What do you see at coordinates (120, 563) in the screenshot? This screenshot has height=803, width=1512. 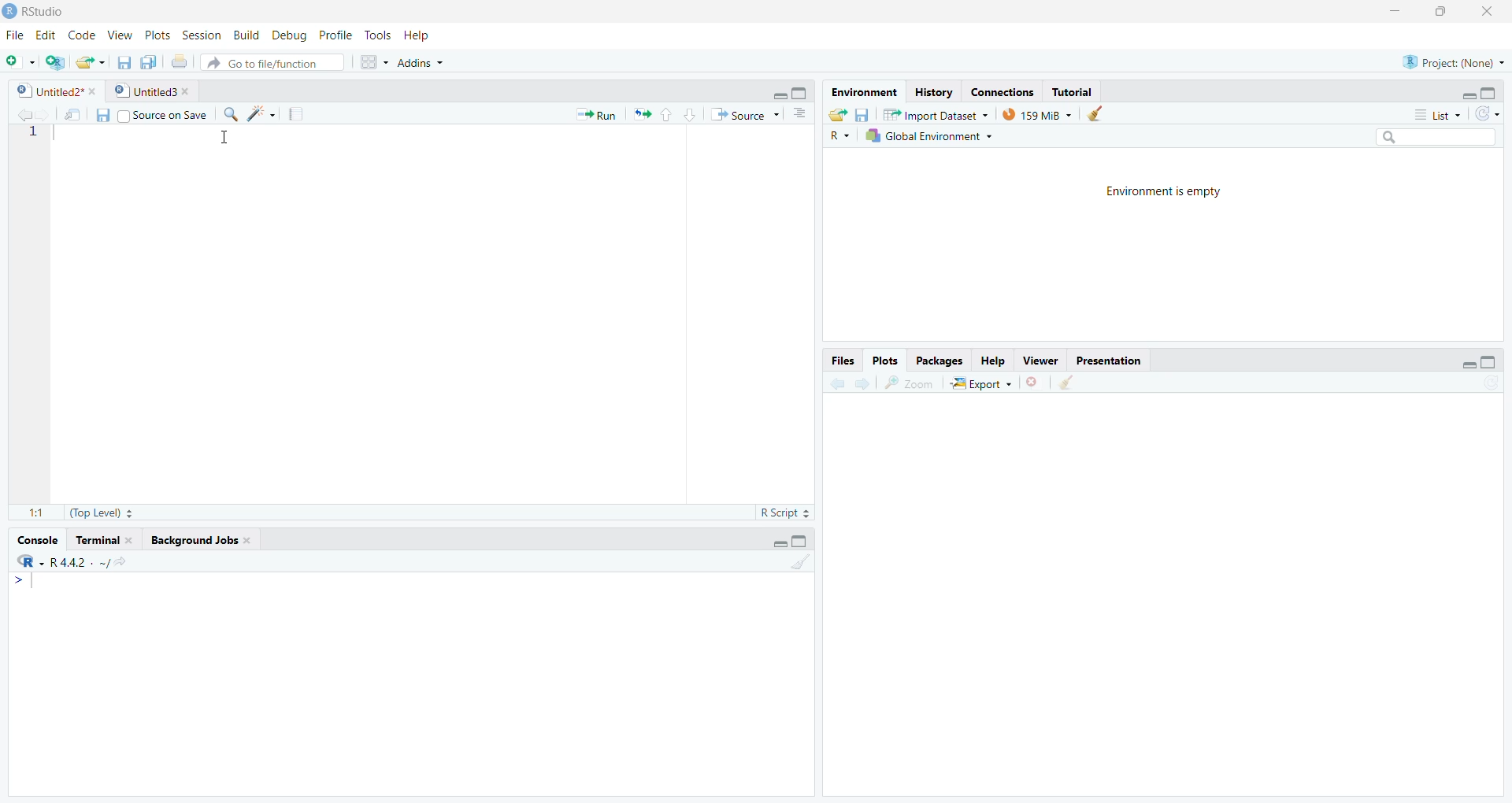 I see `Show directory` at bounding box center [120, 563].